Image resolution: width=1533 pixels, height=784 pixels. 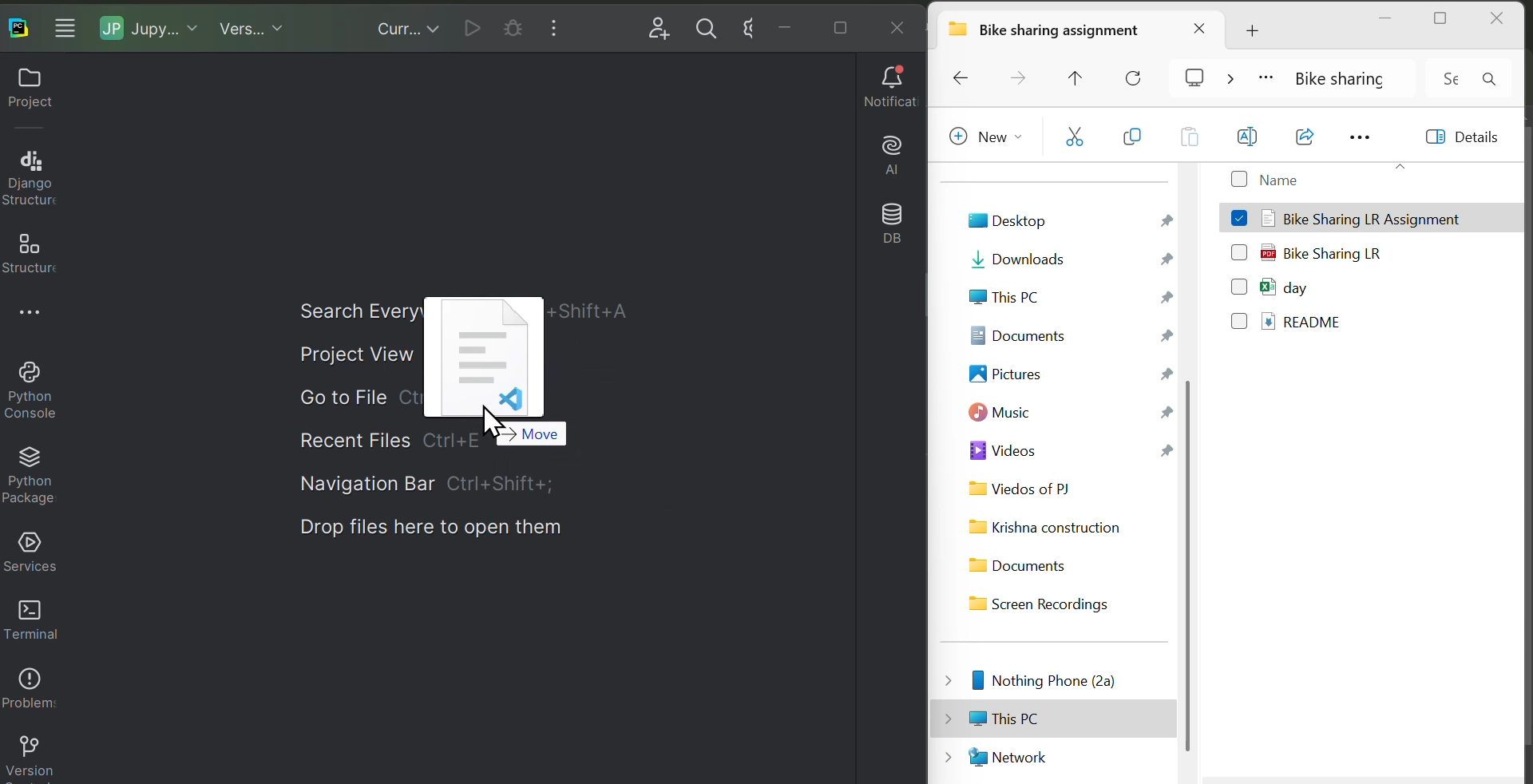 I want to click on Network, so click(x=1052, y=754).